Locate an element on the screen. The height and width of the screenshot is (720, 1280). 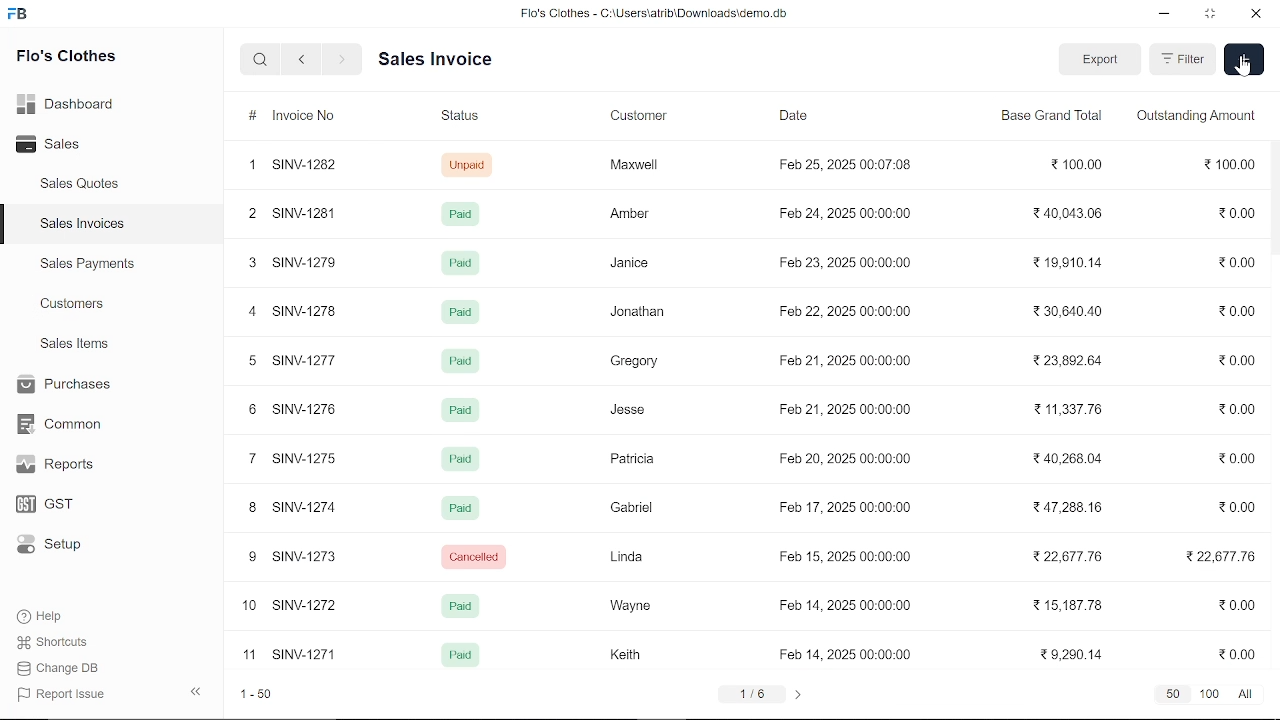
minimize is located at coordinates (1166, 16).